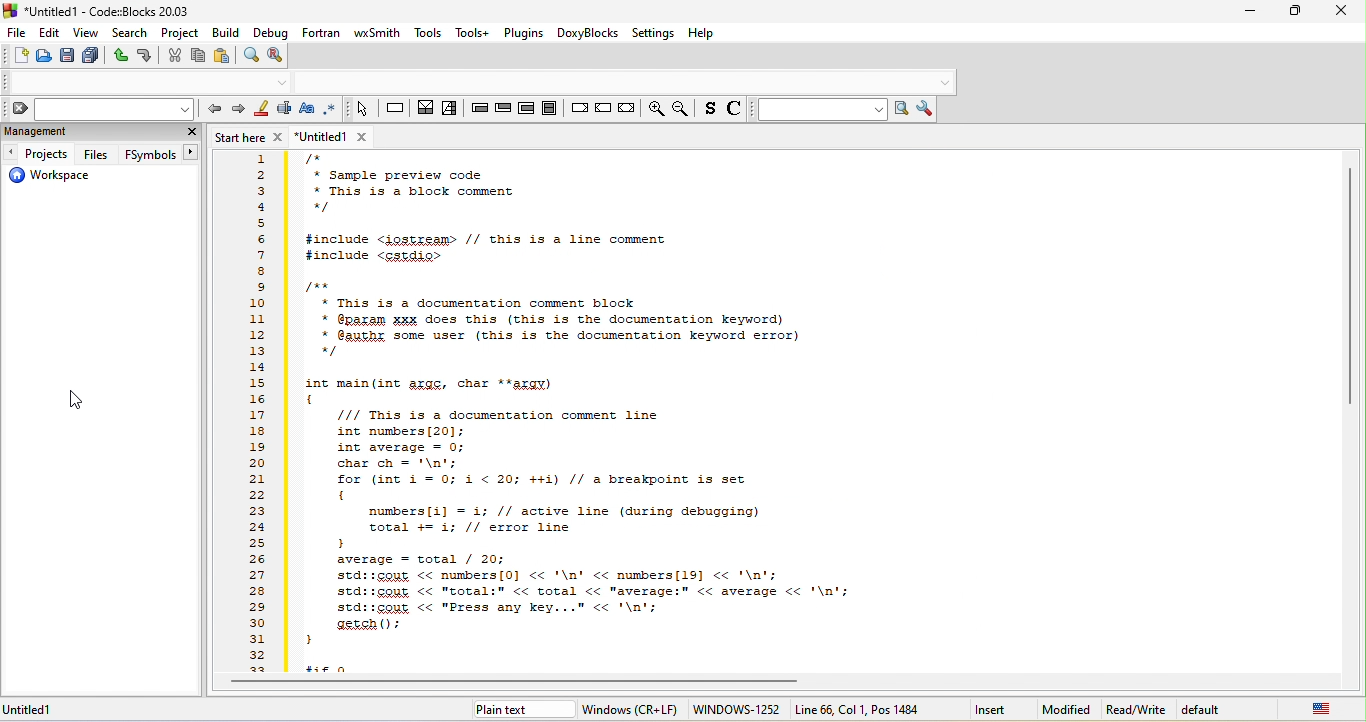  What do you see at coordinates (702, 33) in the screenshot?
I see `help` at bounding box center [702, 33].